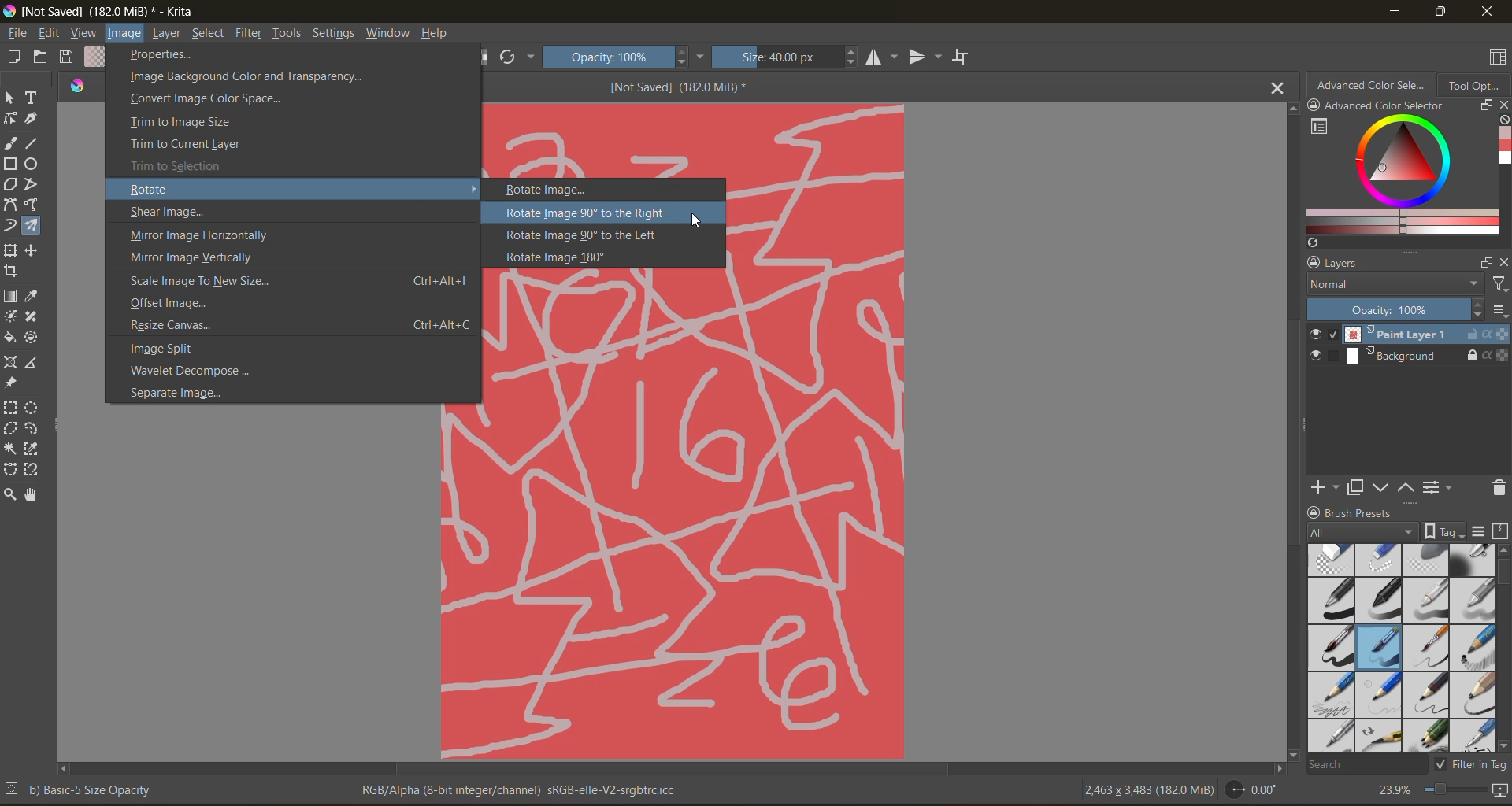 This screenshot has width=1512, height=806. What do you see at coordinates (1399, 179) in the screenshot?
I see `advanced color selector` at bounding box center [1399, 179].